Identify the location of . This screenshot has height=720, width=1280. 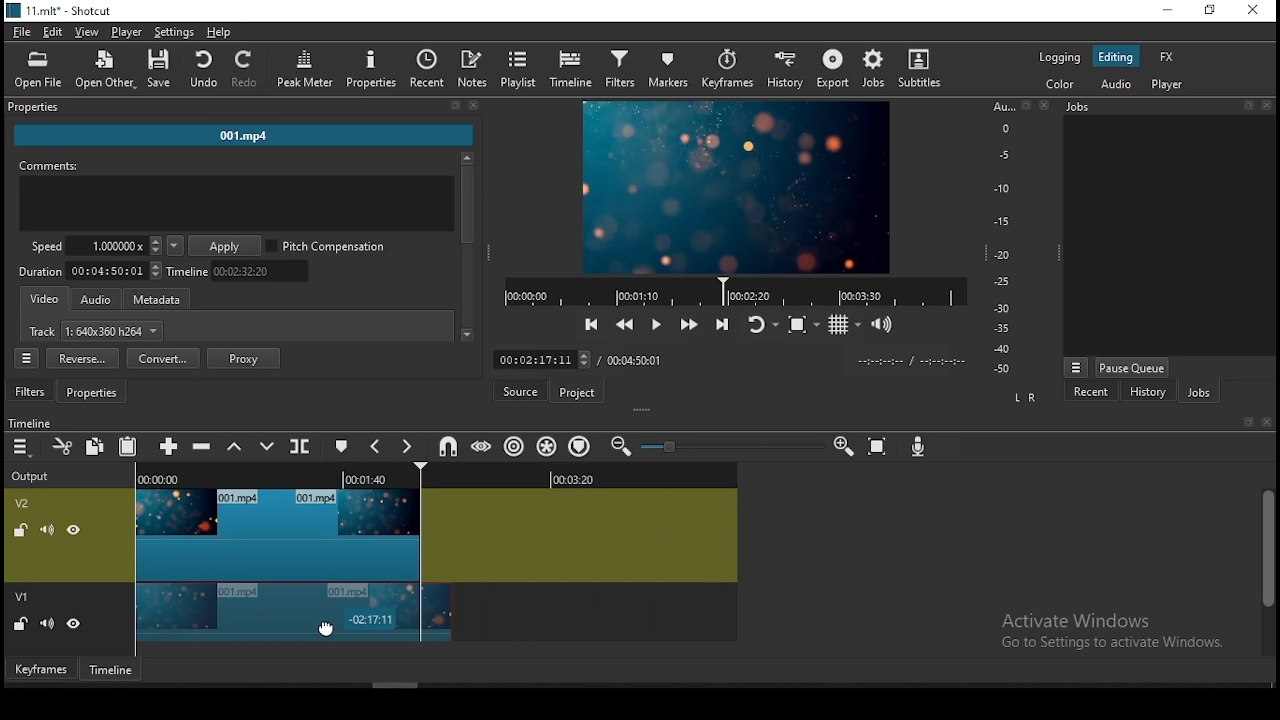
(30, 421).